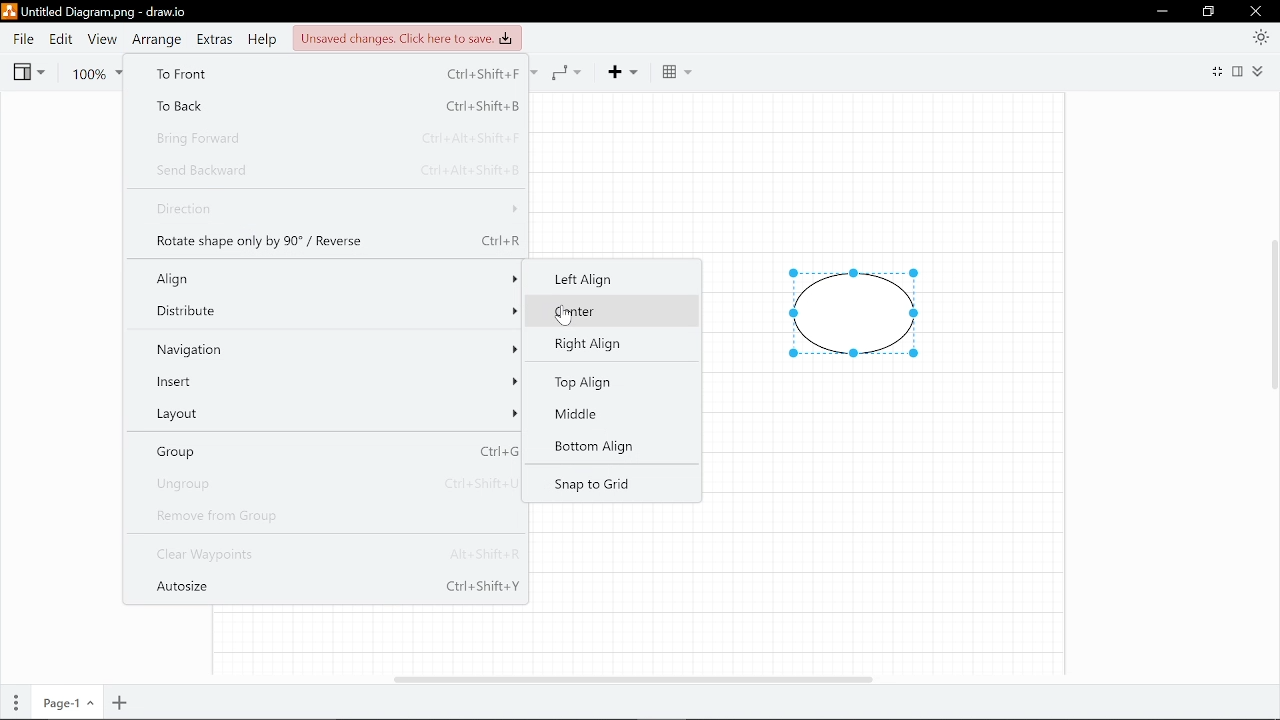 This screenshot has width=1280, height=720. Describe the element at coordinates (330, 137) in the screenshot. I see `Bring Forward` at that location.